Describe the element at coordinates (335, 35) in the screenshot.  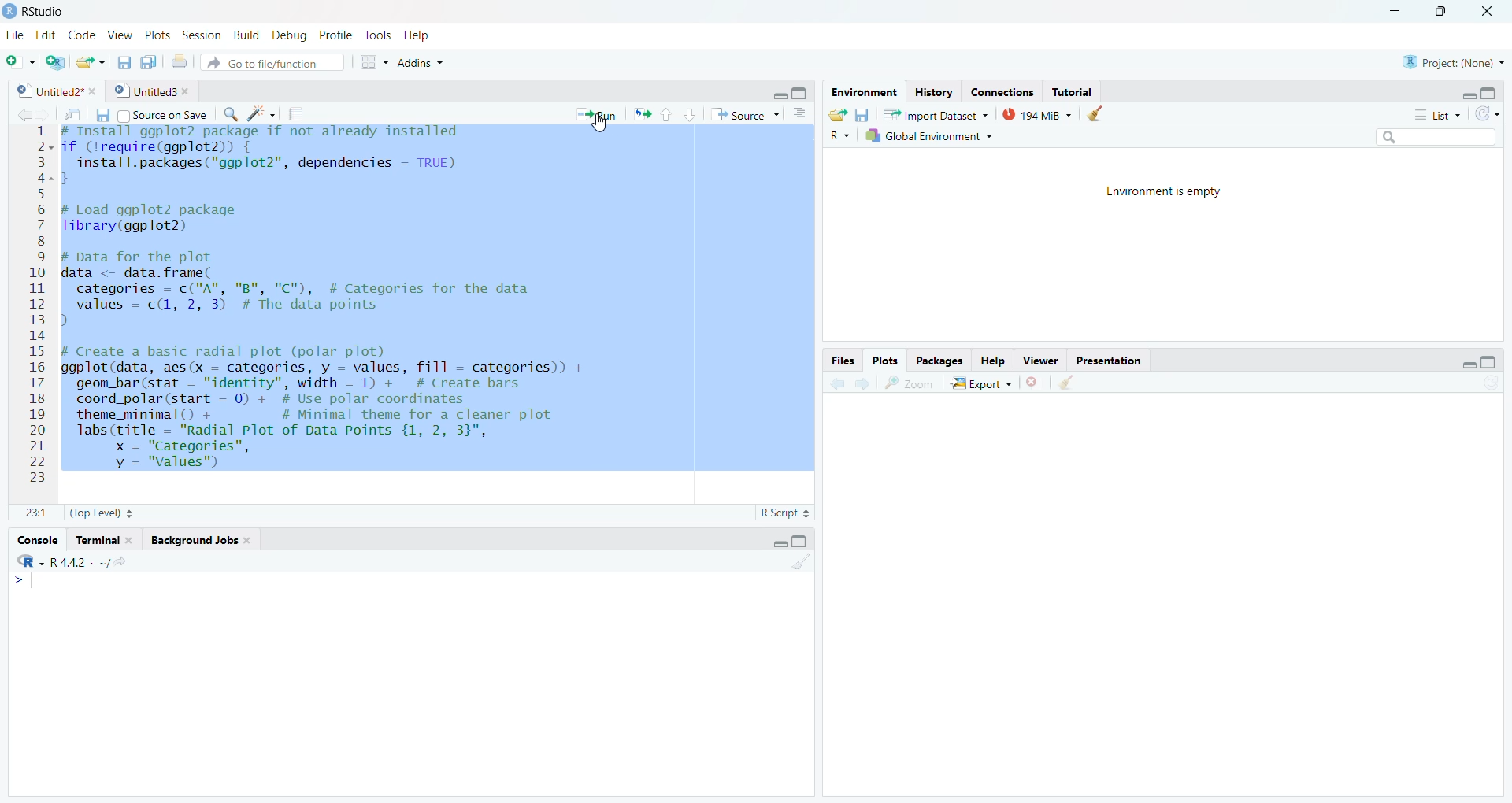
I see `Profile` at that location.